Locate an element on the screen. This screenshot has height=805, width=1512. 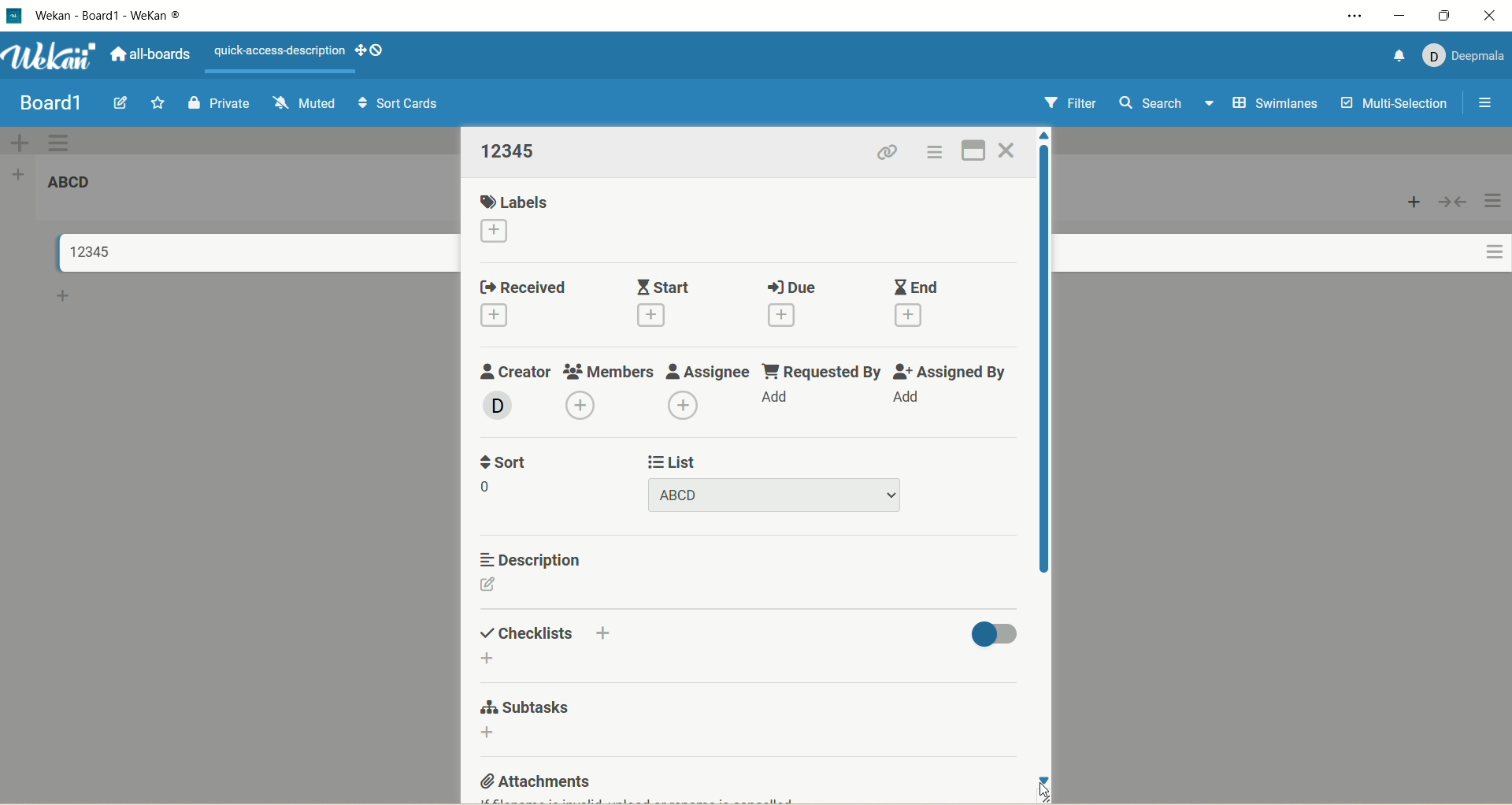
add is located at coordinates (787, 316).